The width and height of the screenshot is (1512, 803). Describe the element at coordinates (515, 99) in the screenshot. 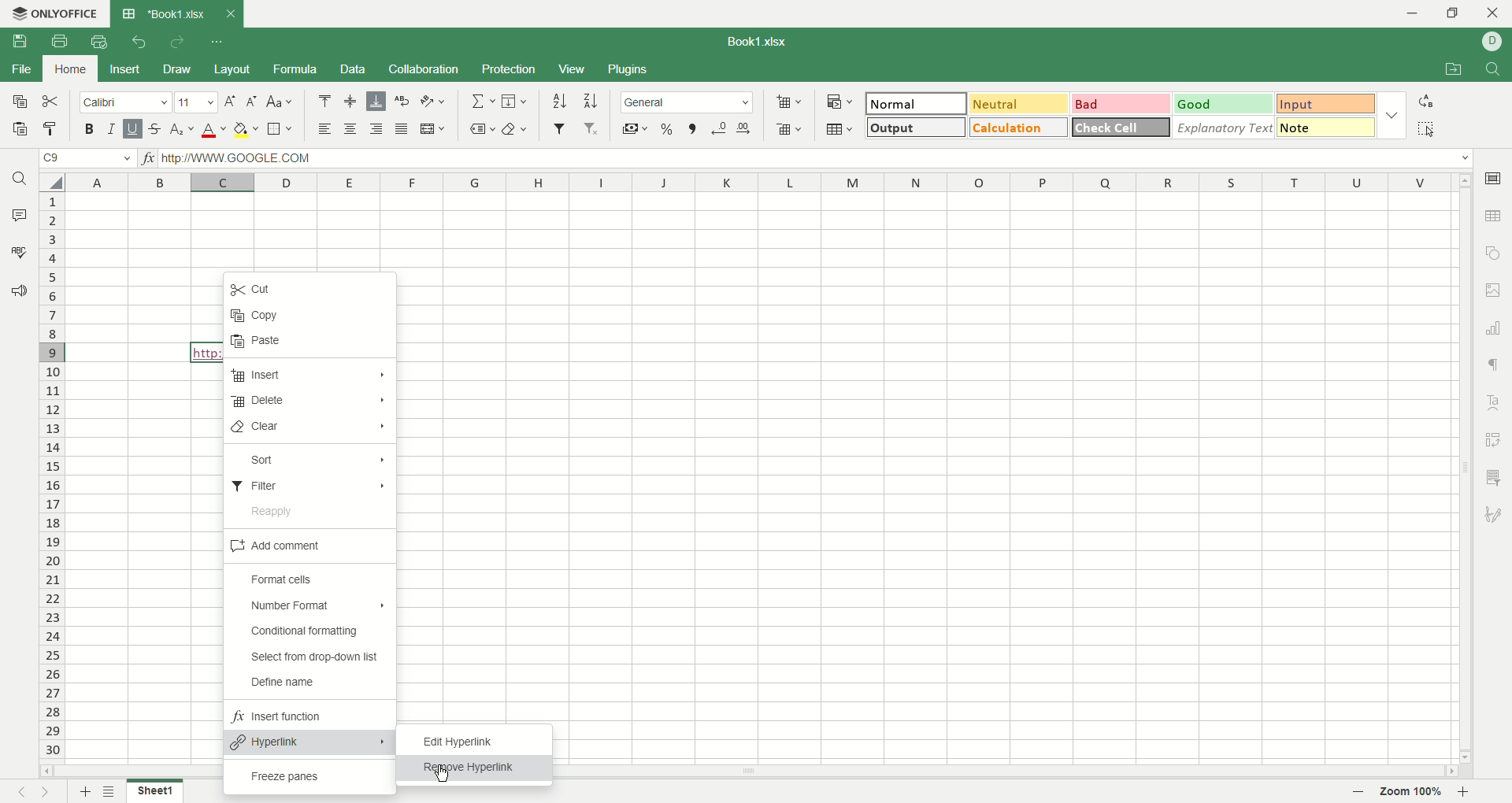

I see `fill` at that location.